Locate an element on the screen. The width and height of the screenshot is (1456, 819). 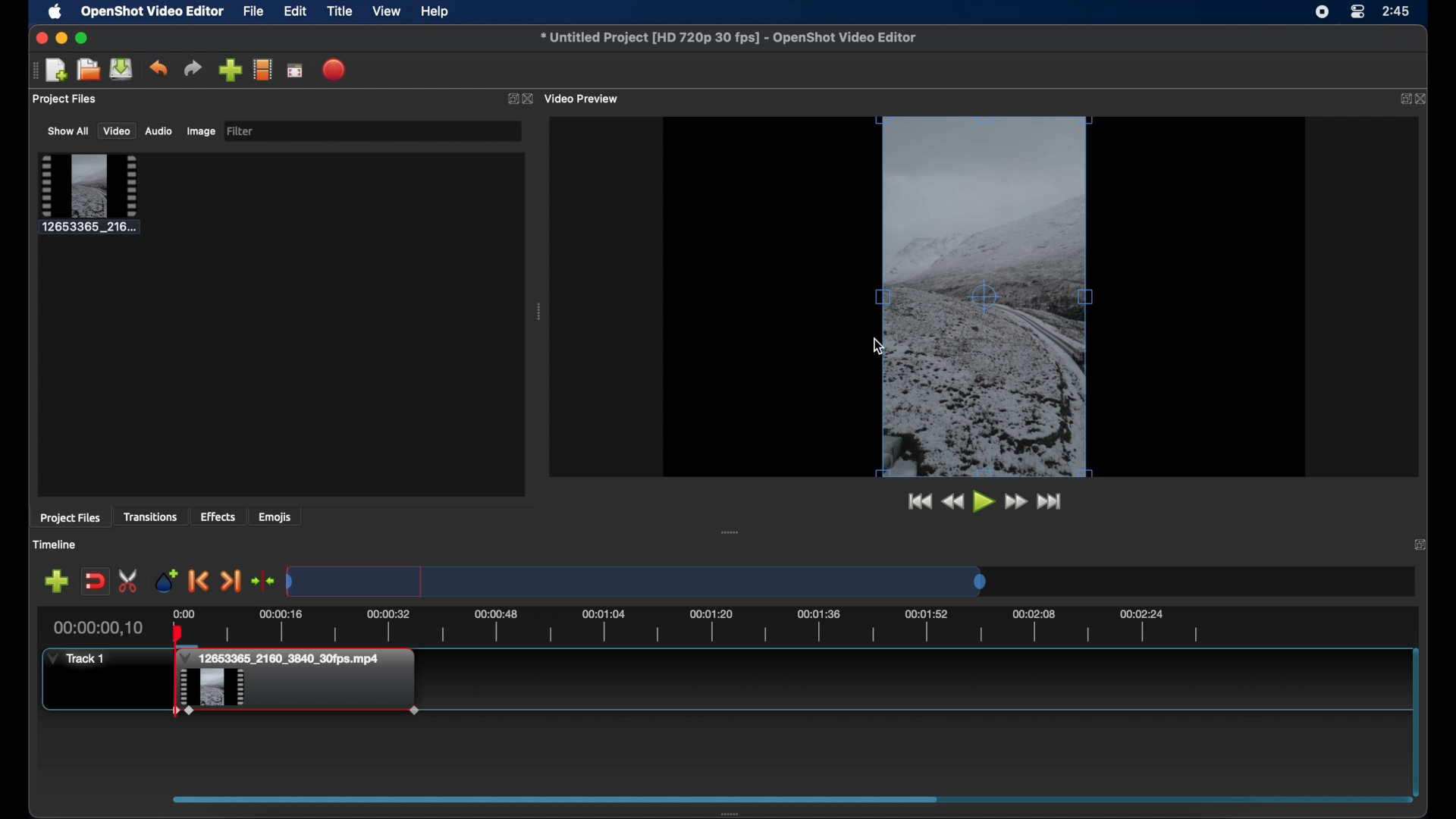
track is located at coordinates (77, 657).